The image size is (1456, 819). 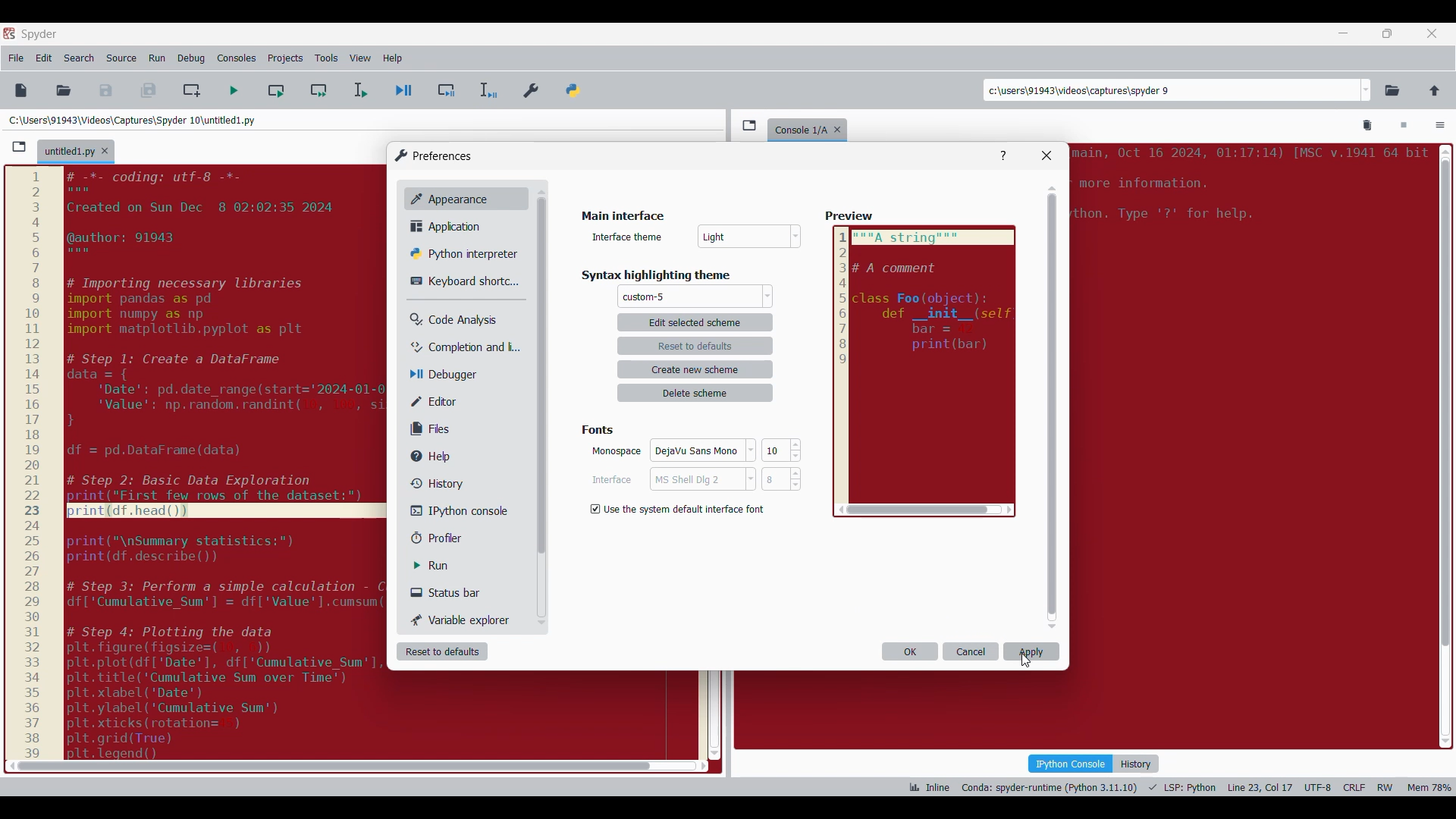 What do you see at coordinates (696, 453) in the screenshot?
I see `OK` at bounding box center [696, 453].